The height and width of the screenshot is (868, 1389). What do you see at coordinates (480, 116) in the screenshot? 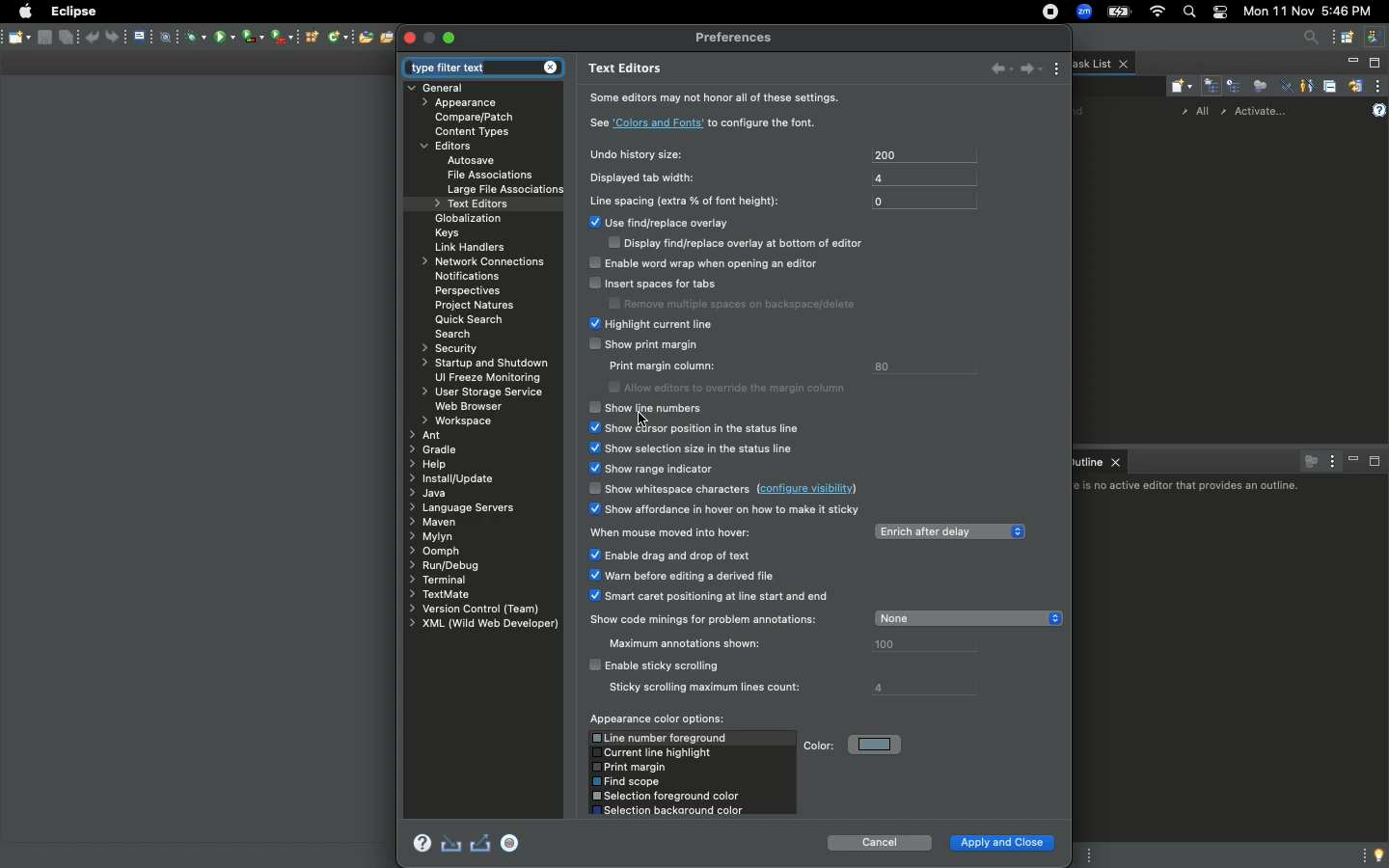
I see `Compare patch` at bounding box center [480, 116].